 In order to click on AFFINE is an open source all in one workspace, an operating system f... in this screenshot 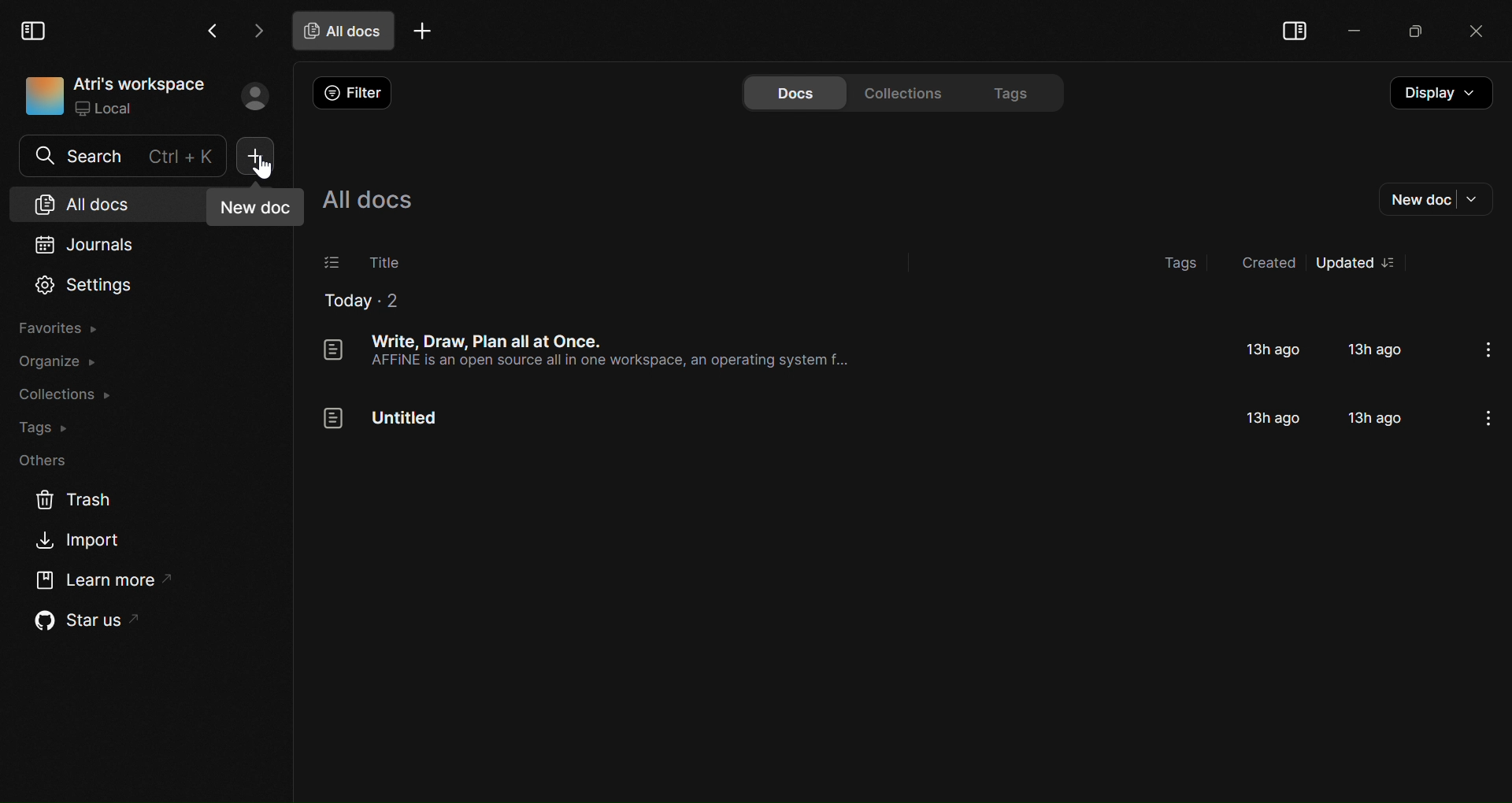, I will do `click(607, 361)`.